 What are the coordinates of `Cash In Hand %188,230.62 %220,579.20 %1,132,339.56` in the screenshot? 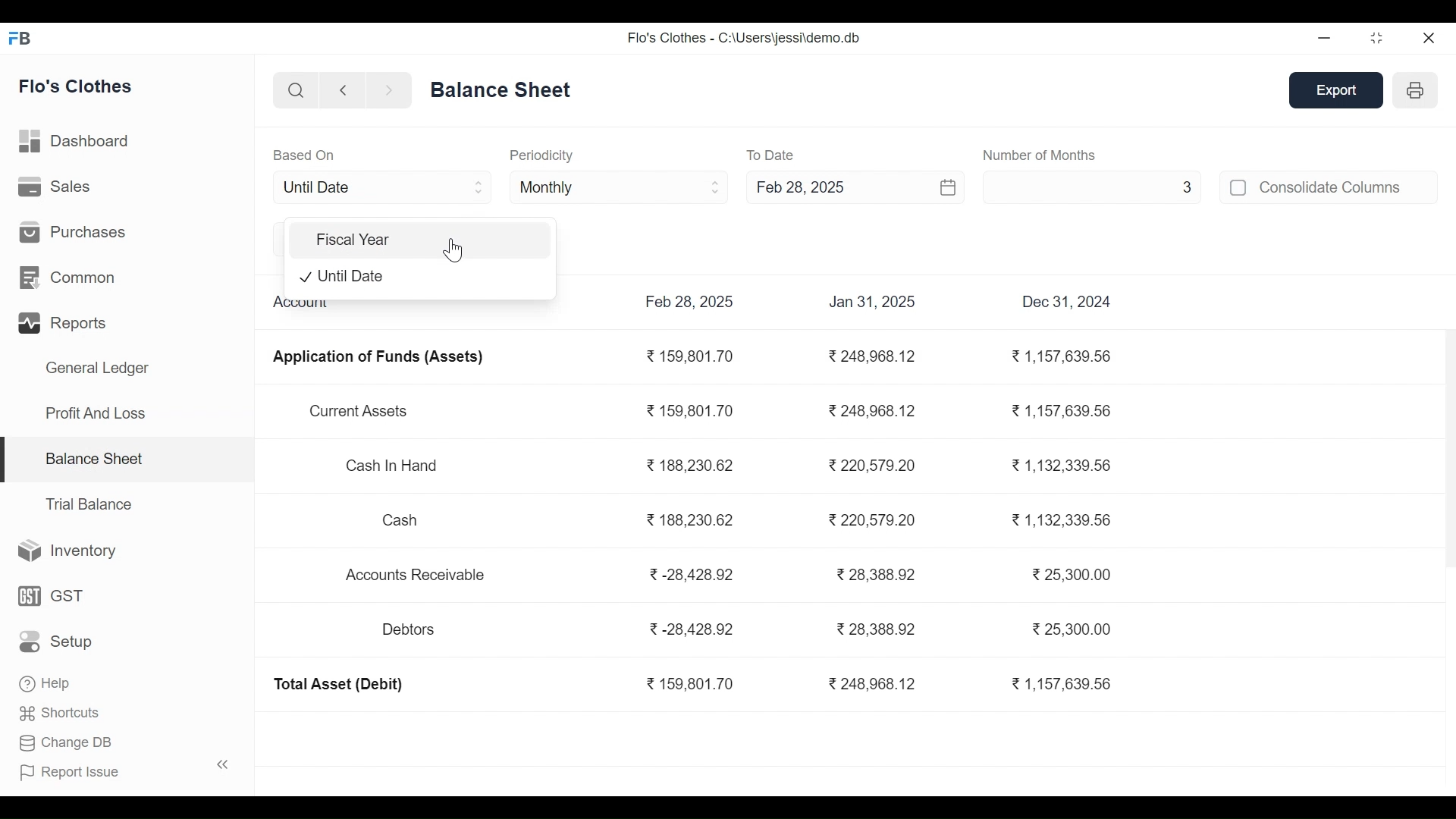 It's located at (732, 467).